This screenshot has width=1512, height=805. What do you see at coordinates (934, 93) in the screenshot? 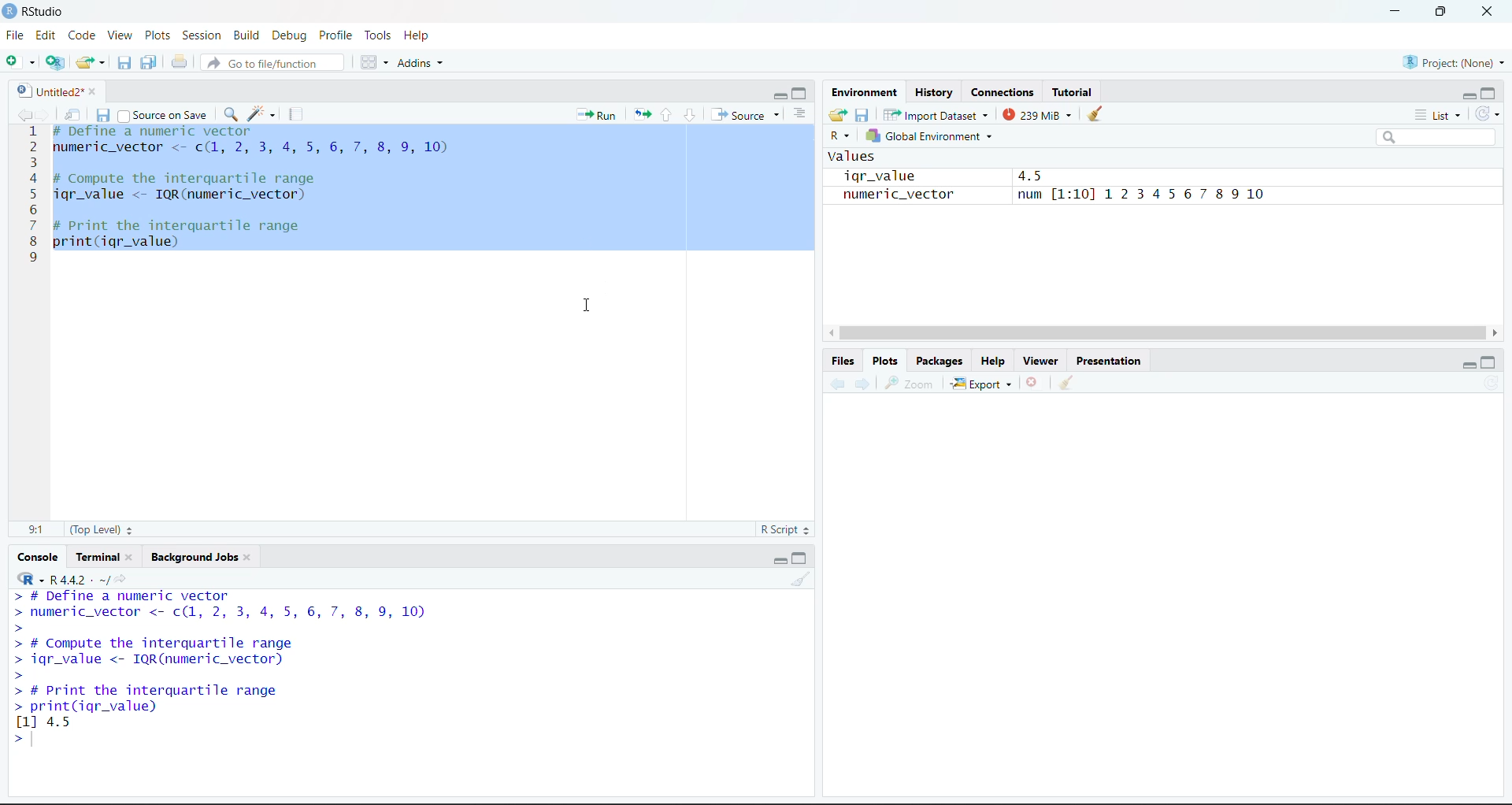
I see `History` at bounding box center [934, 93].